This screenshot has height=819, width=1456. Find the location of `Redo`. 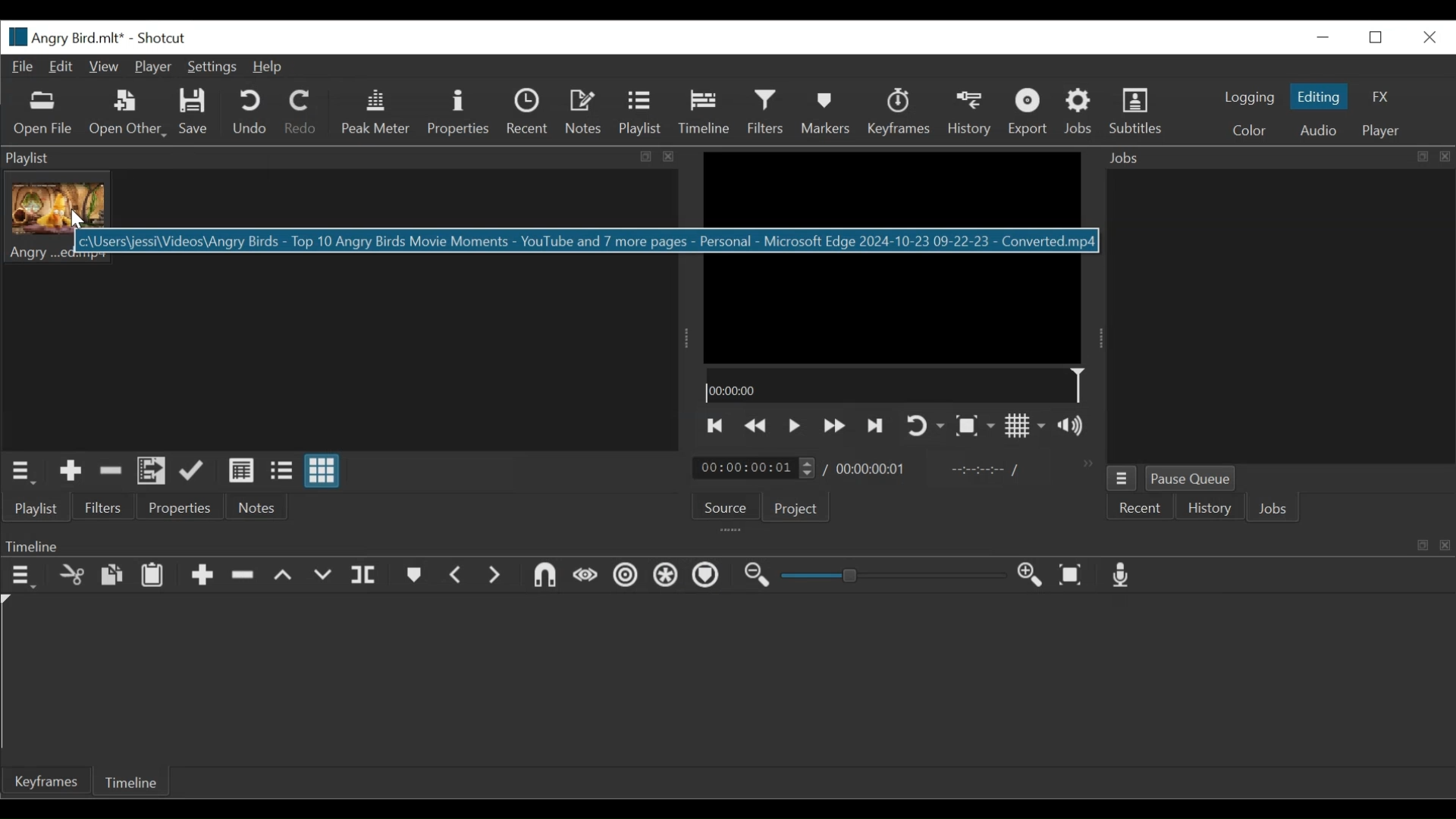

Redo is located at coordinates (303, 112).